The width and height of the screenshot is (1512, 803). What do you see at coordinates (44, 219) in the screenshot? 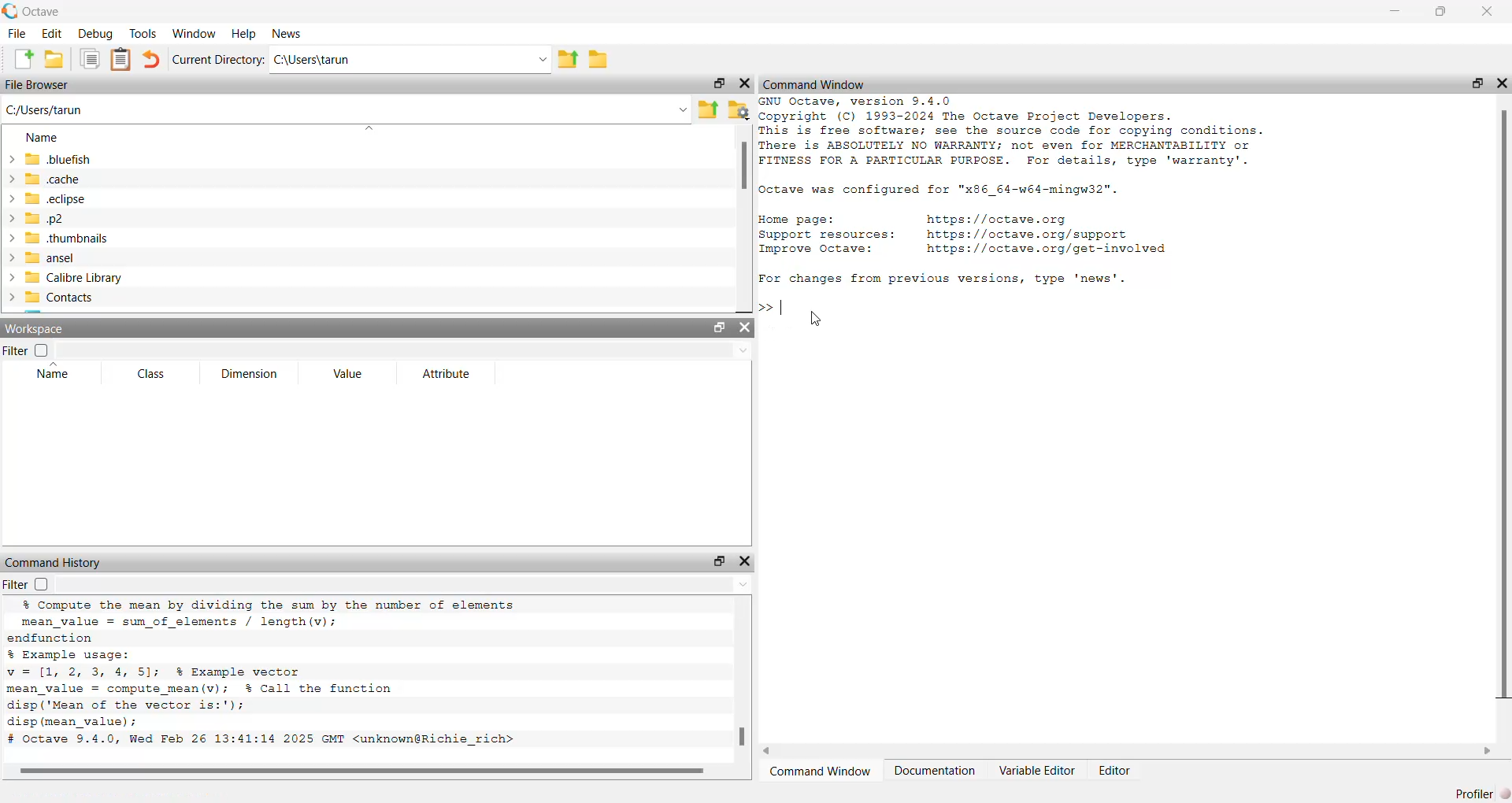
I see `.p2` at bounding box center [44, 219].